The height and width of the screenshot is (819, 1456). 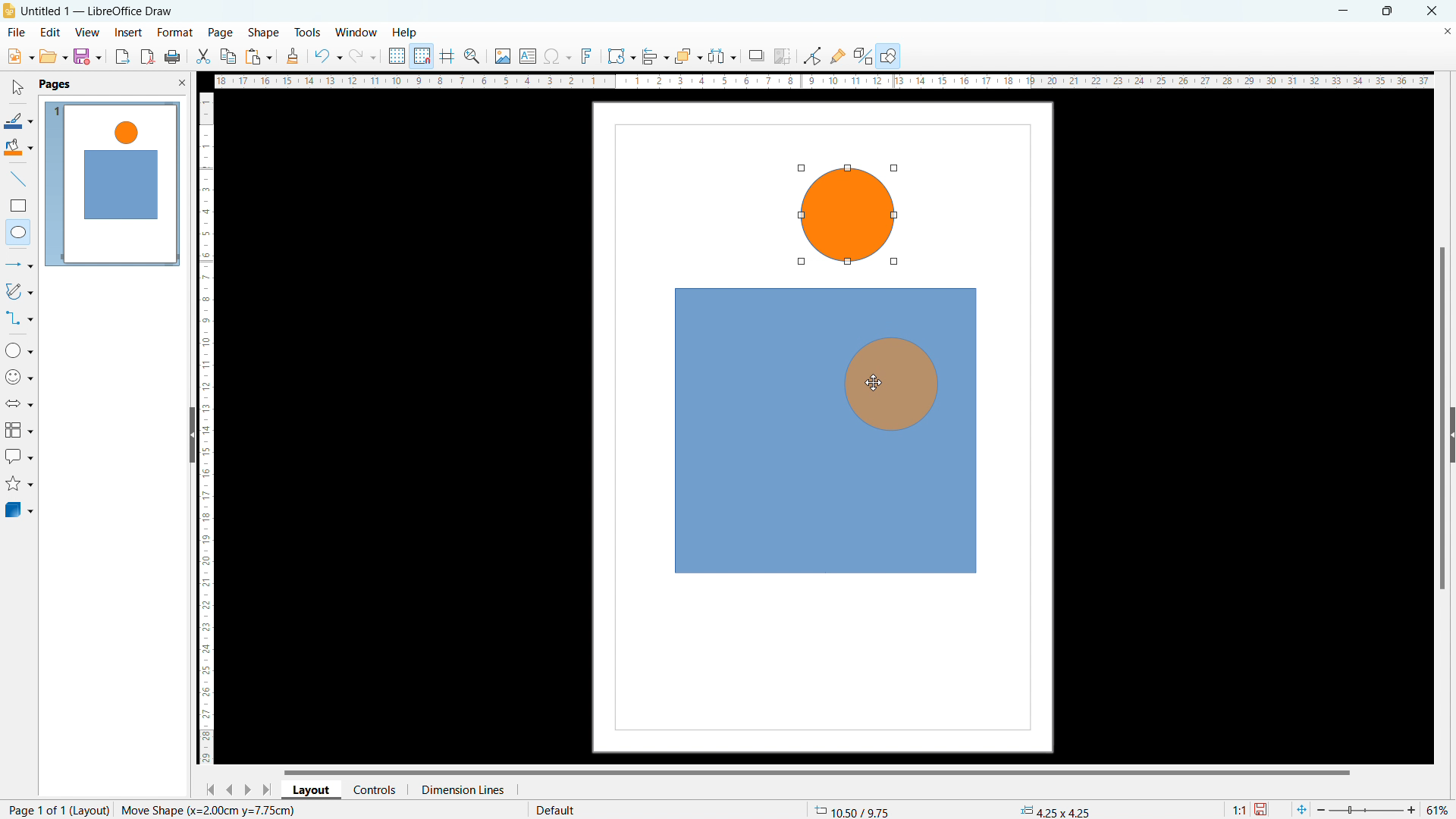 What do you see at coordinates (558, 56) in the screenshot?
I see `insert special character` at bounding box center [558, 56].